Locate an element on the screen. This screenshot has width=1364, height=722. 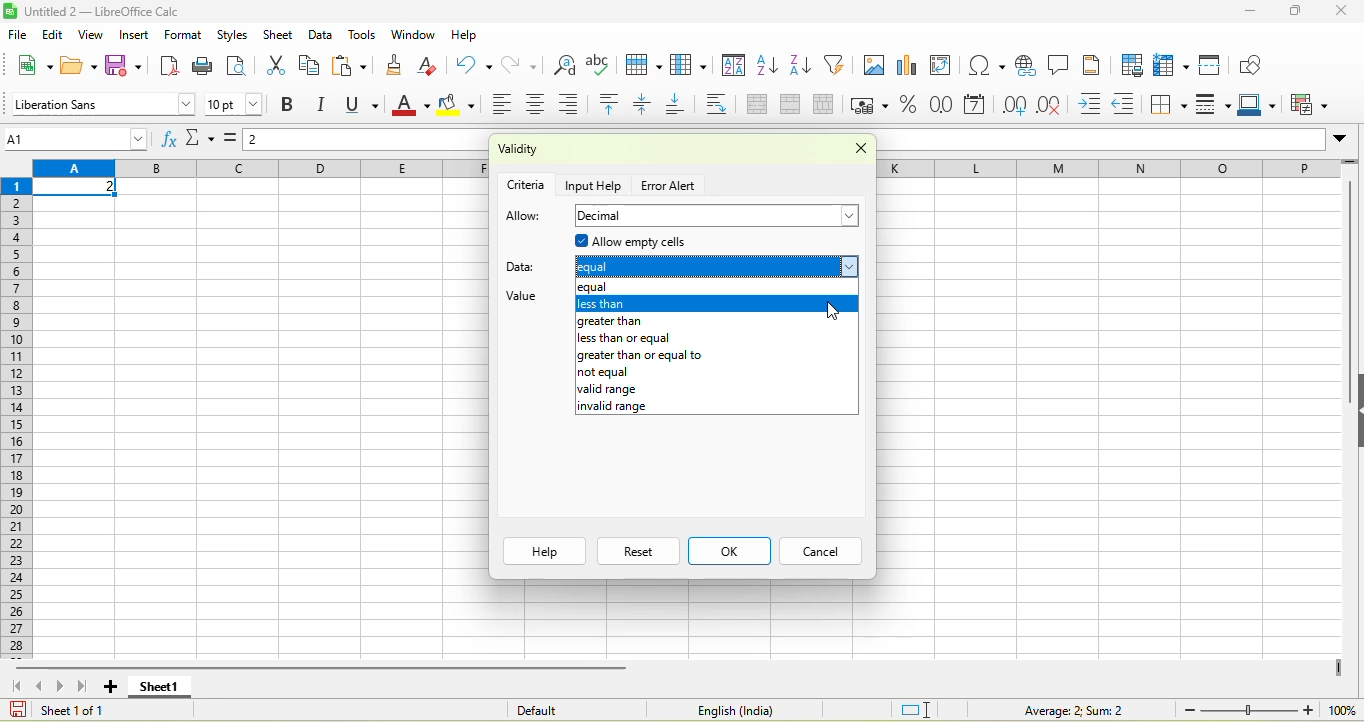
special character is located at coordinates (983, 65).